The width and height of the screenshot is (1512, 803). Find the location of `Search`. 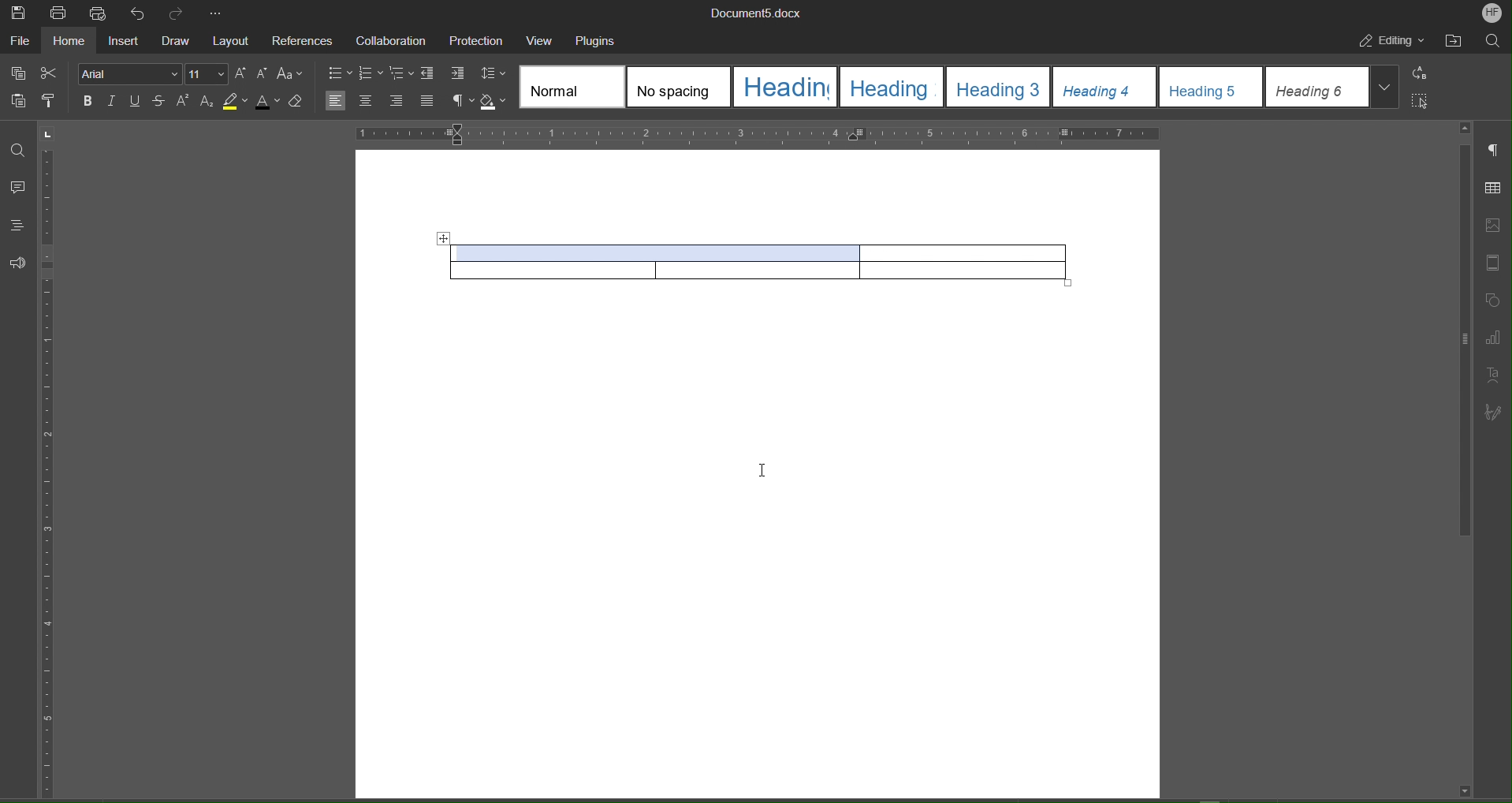

Search is located at coordinates (1494, 43).